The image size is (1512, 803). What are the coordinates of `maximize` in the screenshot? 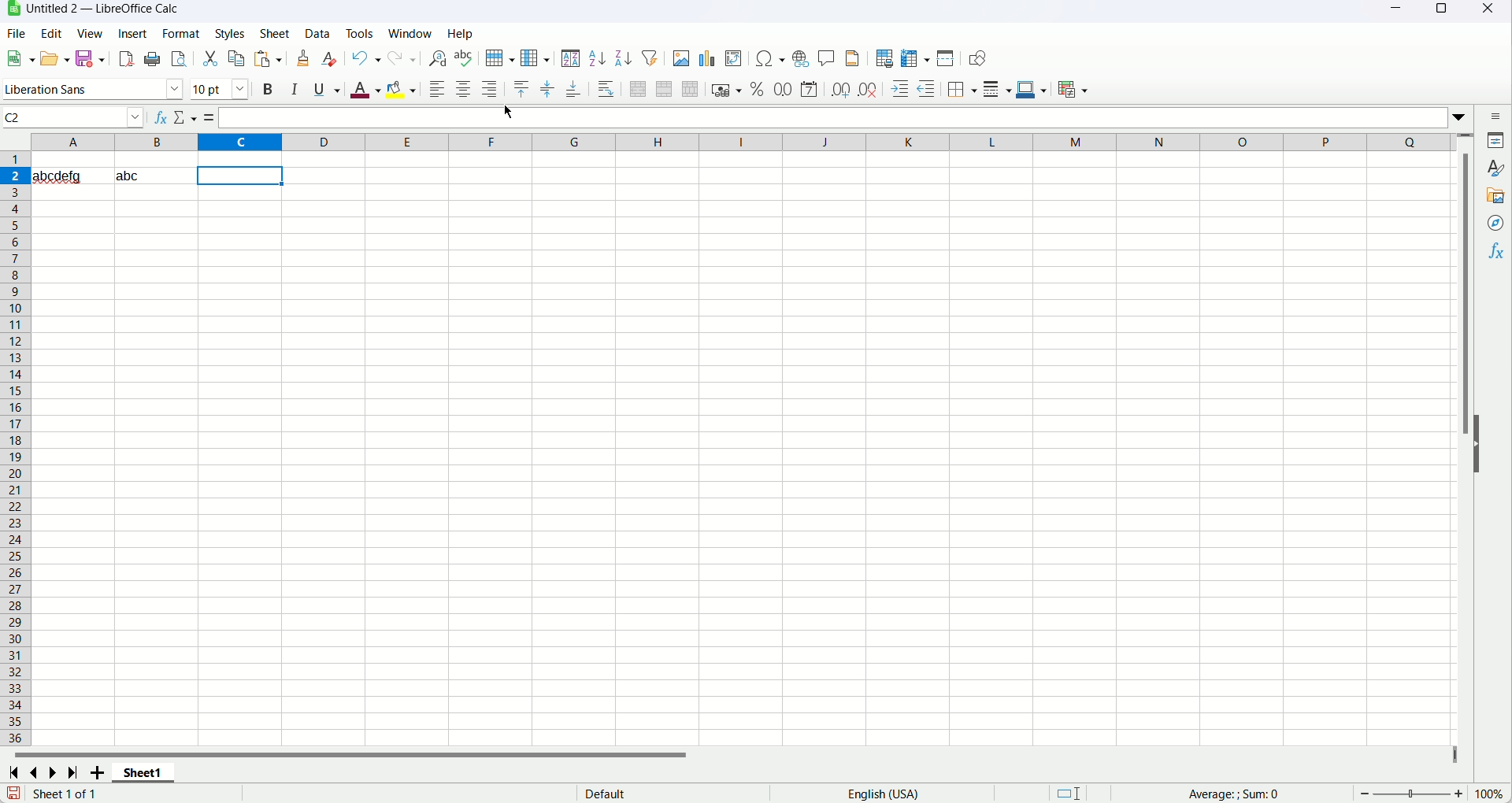 It's located at (1438, 9).